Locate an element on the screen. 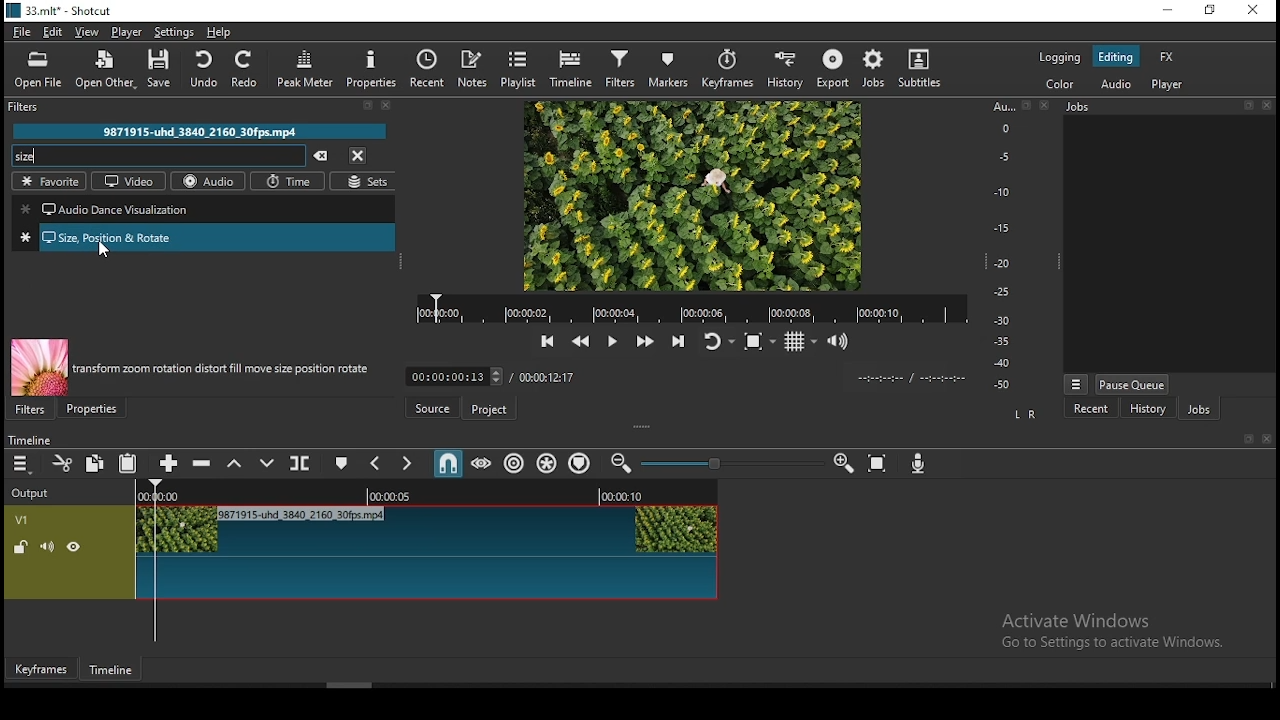 The width and height of the screenshot is (1280, 720). play quickly forwards is located at coordinates (646, 340).